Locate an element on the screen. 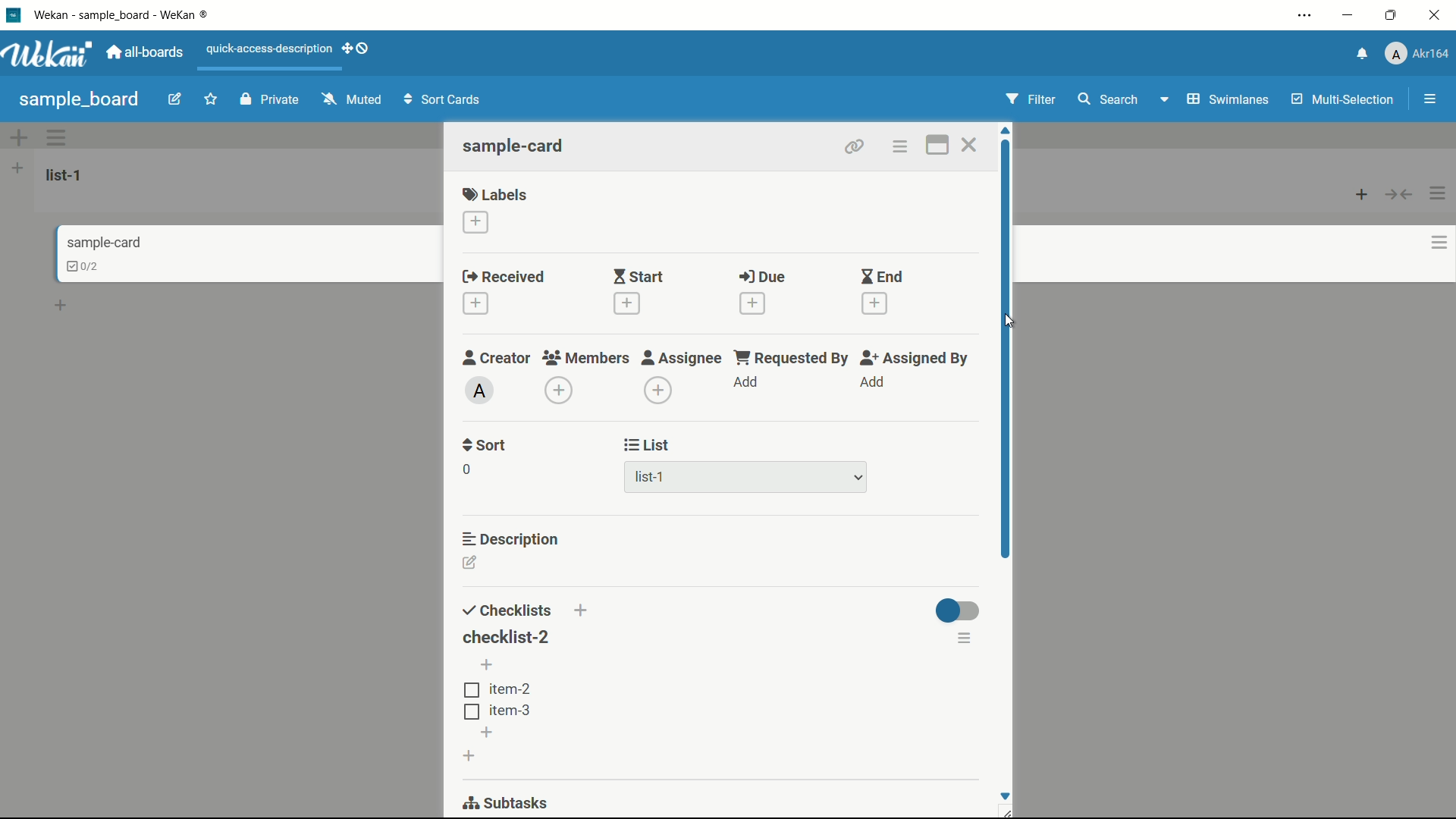 This screenshot has height=819, width=1456. add item is located at coordinates (486, 666).